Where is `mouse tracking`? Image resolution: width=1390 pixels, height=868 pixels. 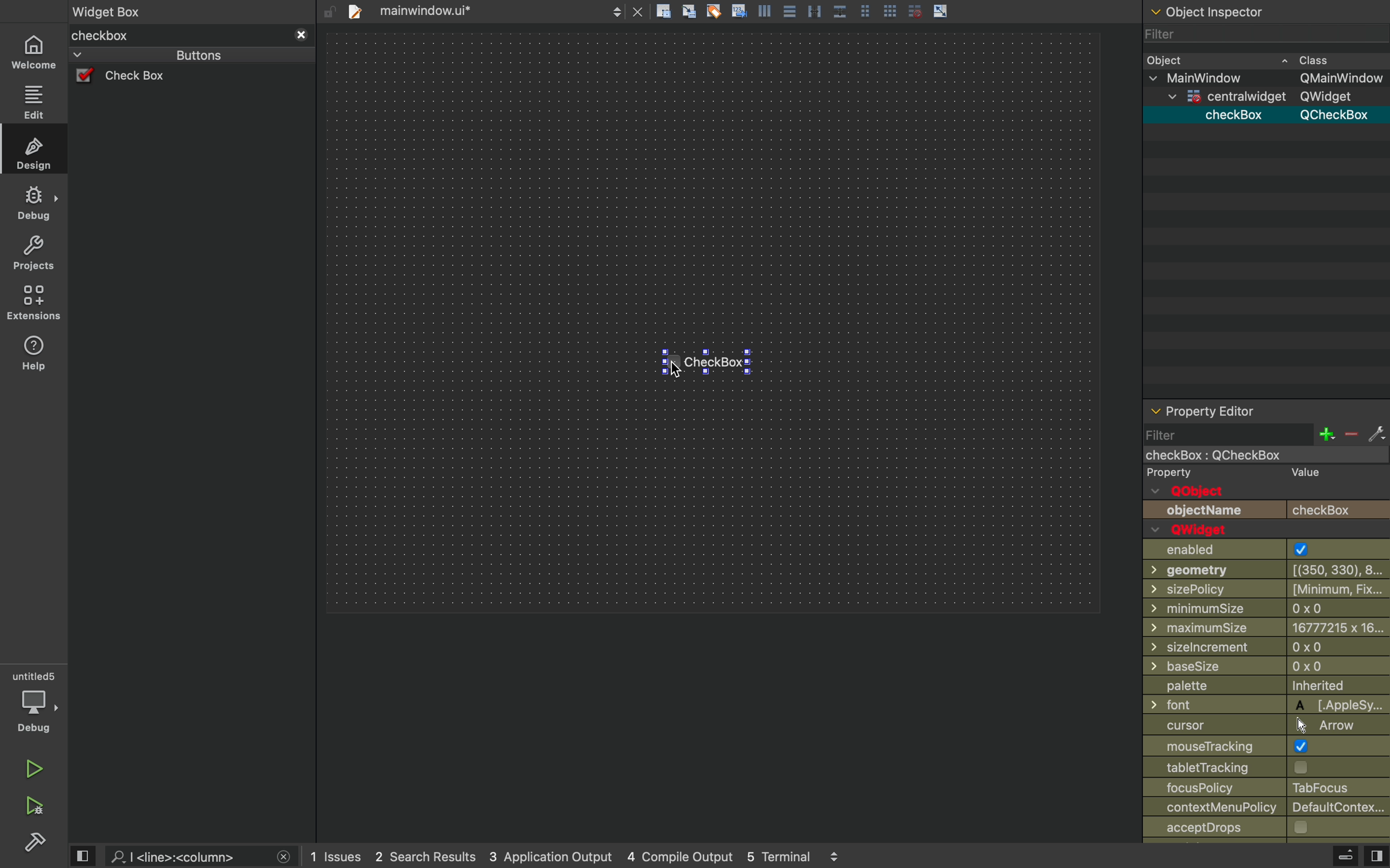
mouse tracking is located at coordinates (1265, 745).